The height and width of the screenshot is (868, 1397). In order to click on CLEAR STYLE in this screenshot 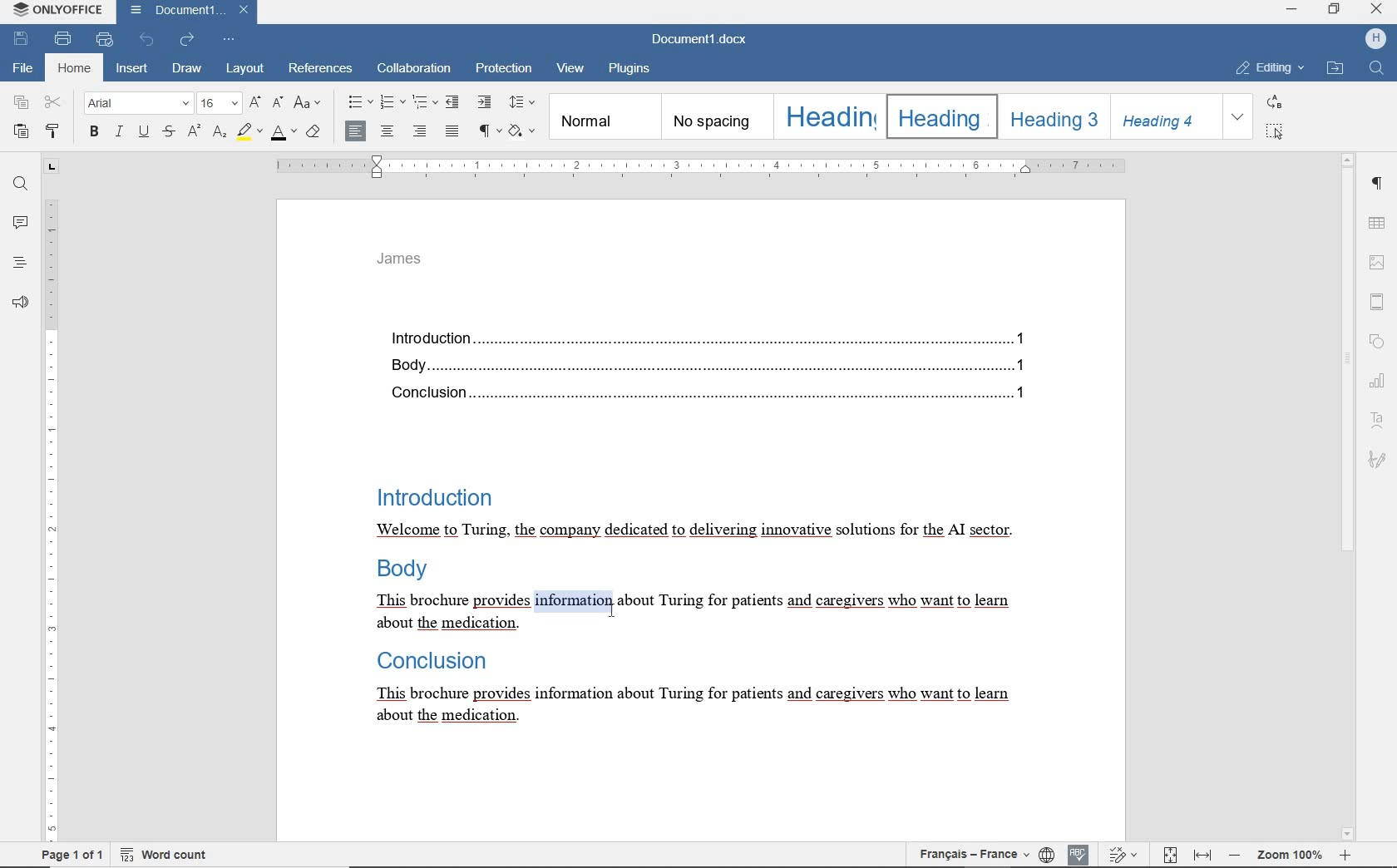, I will do `click(315, 134)`.